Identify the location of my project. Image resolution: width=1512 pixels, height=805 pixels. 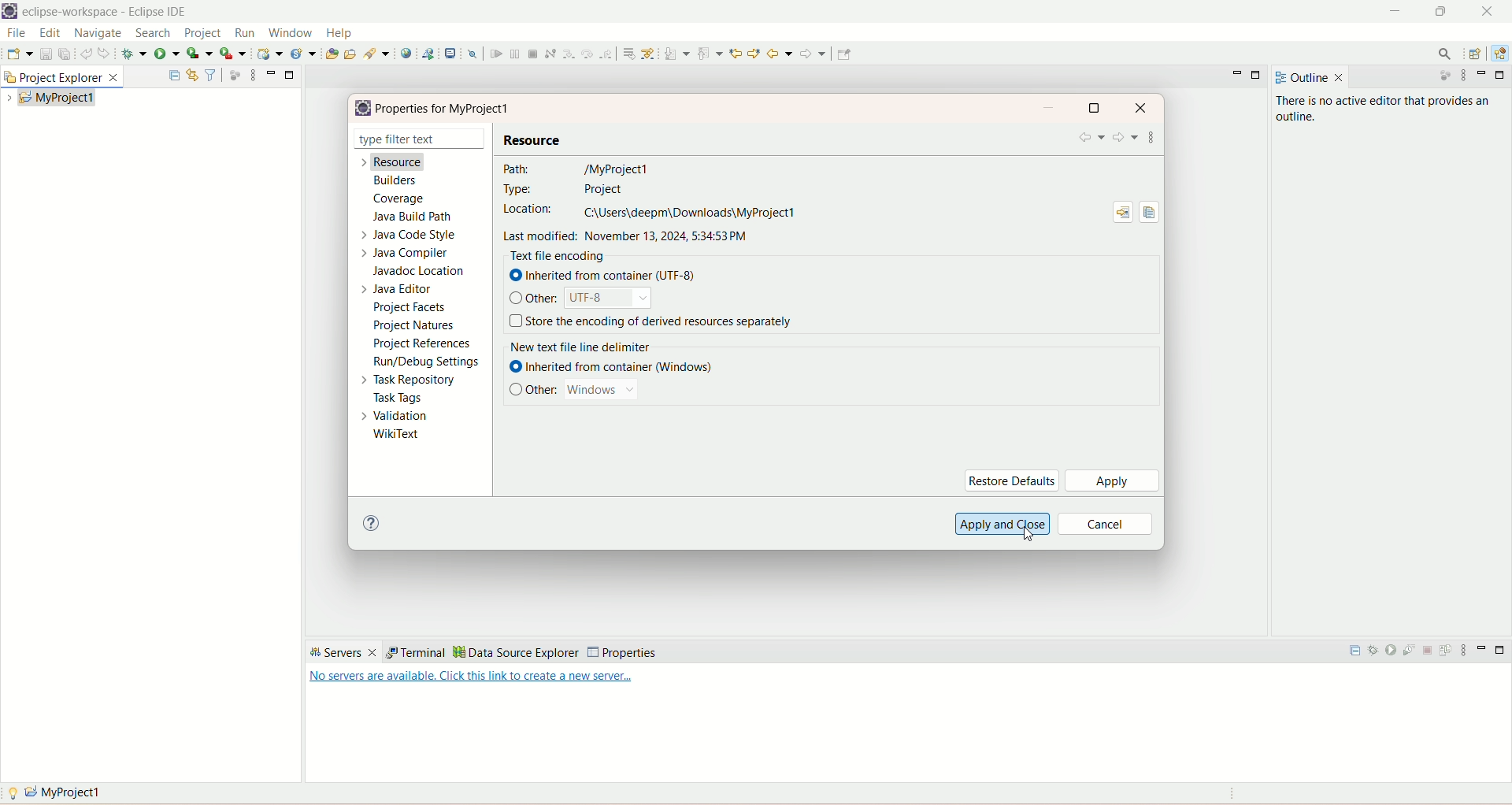
(56, 96).